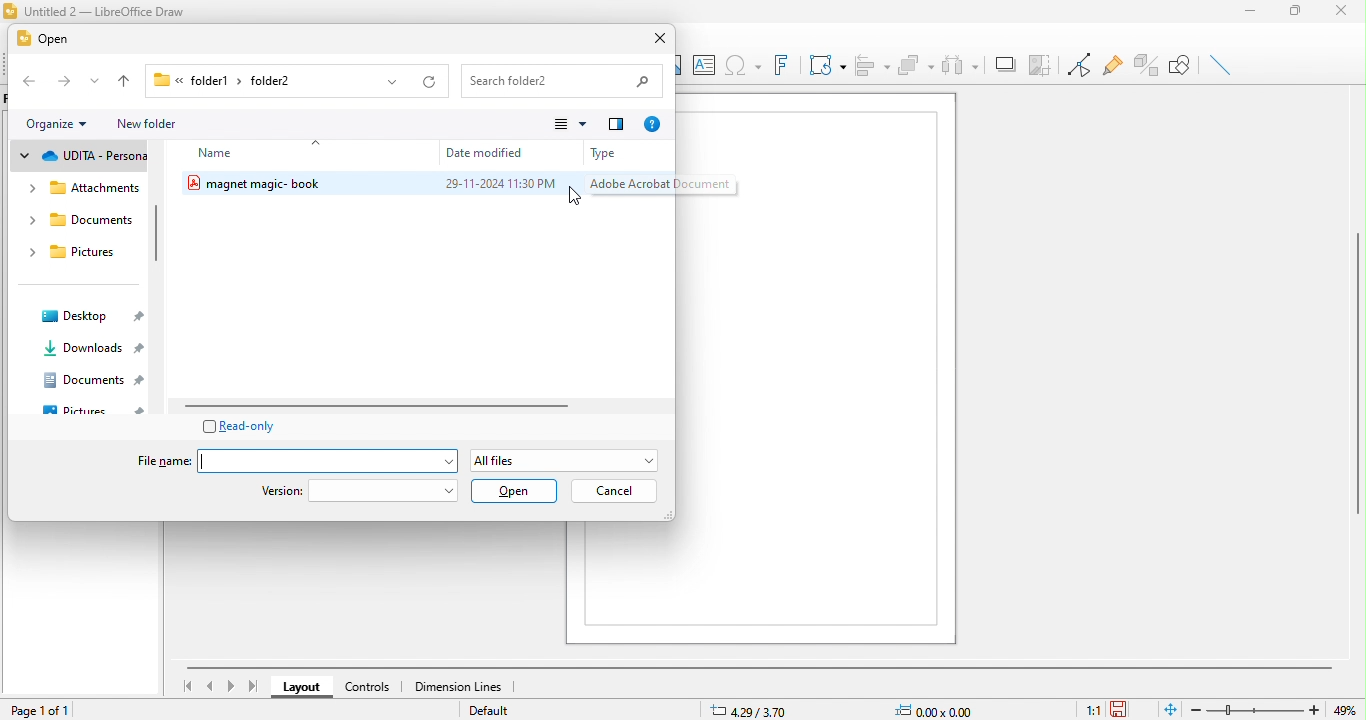  Describe the element at coordinates (246, 425) in the screenshot. I see `read only` at that location.